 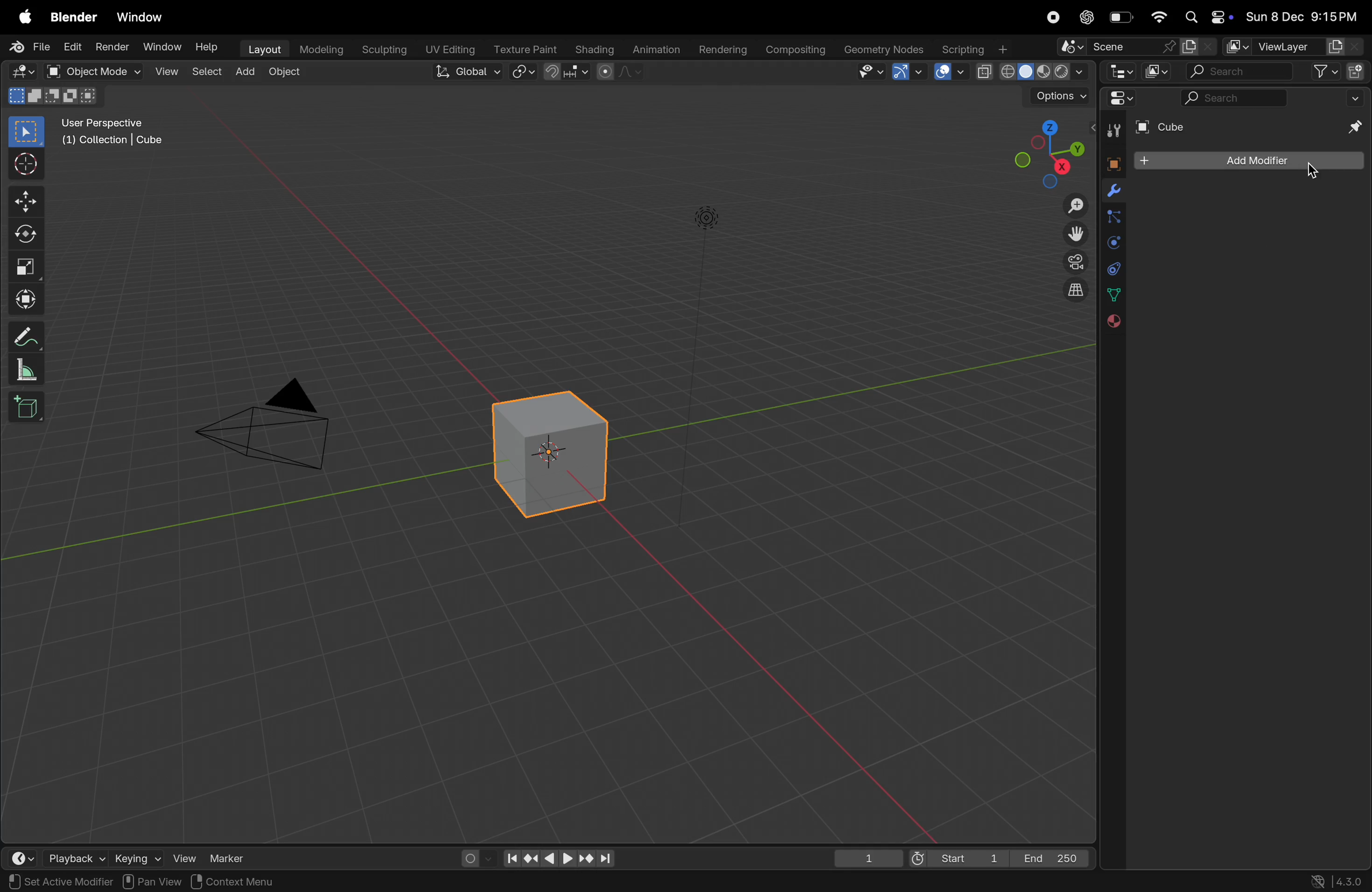 I want to click on editor type, so click(x=1118, y=71).